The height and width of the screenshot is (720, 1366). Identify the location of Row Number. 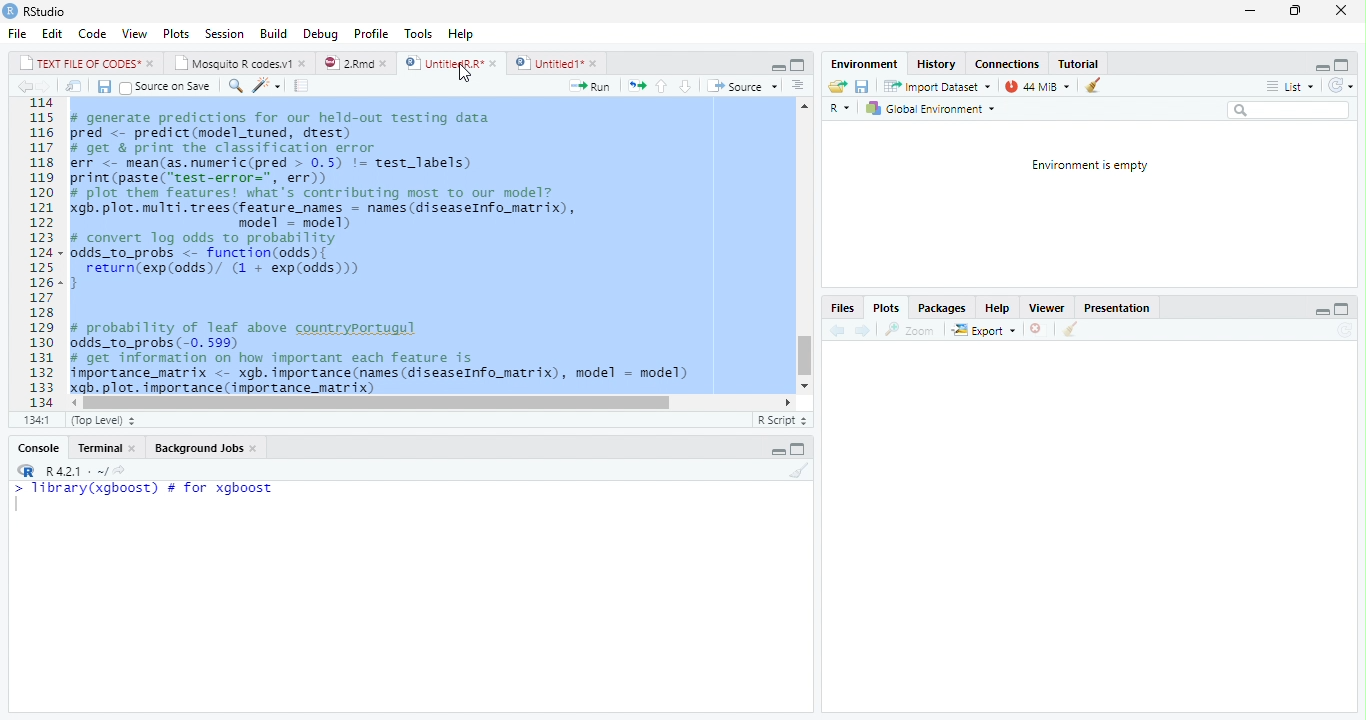
(35, 253).